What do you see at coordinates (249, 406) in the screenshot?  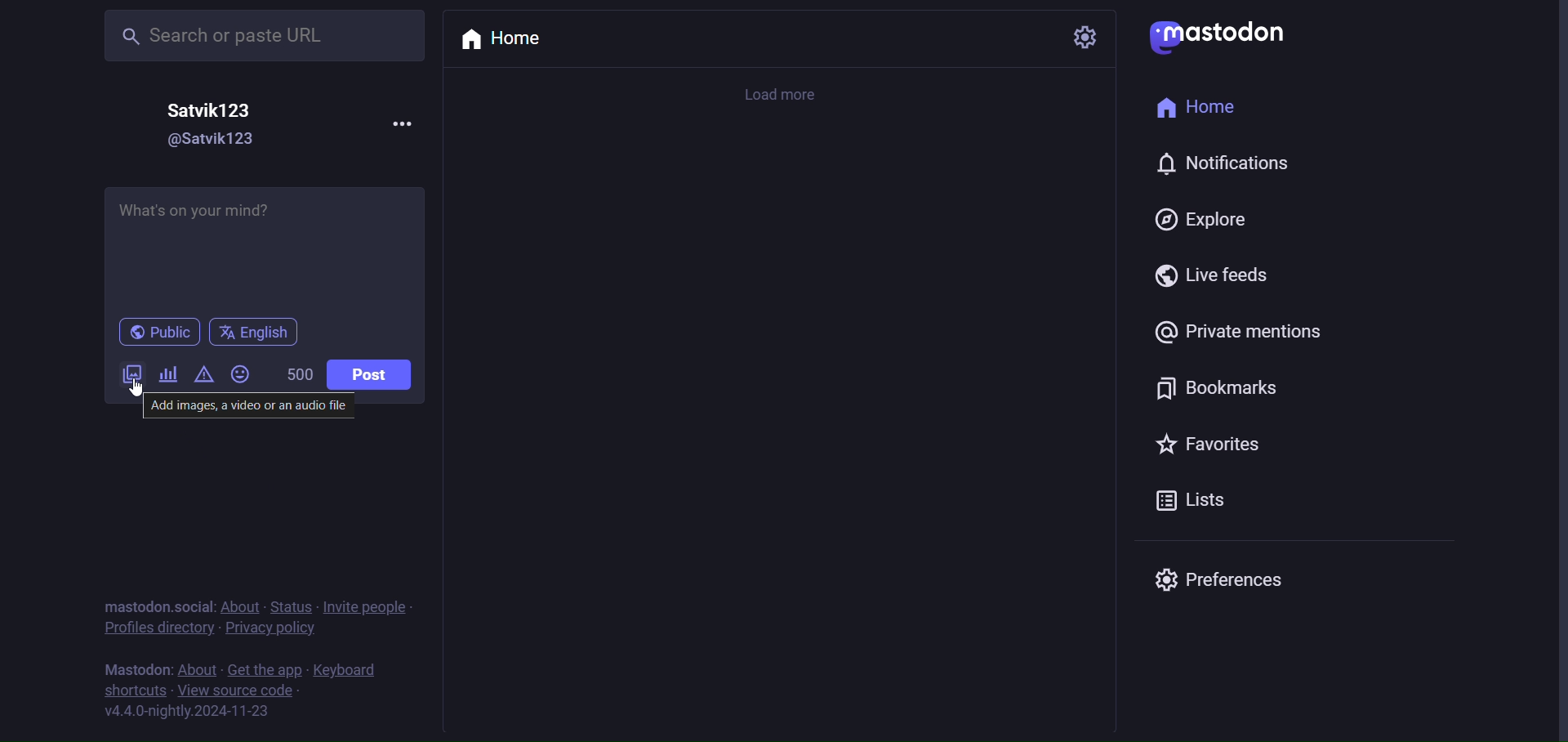 I see `‘Add images, a video or an audio file` at bounding box center [249, 406].